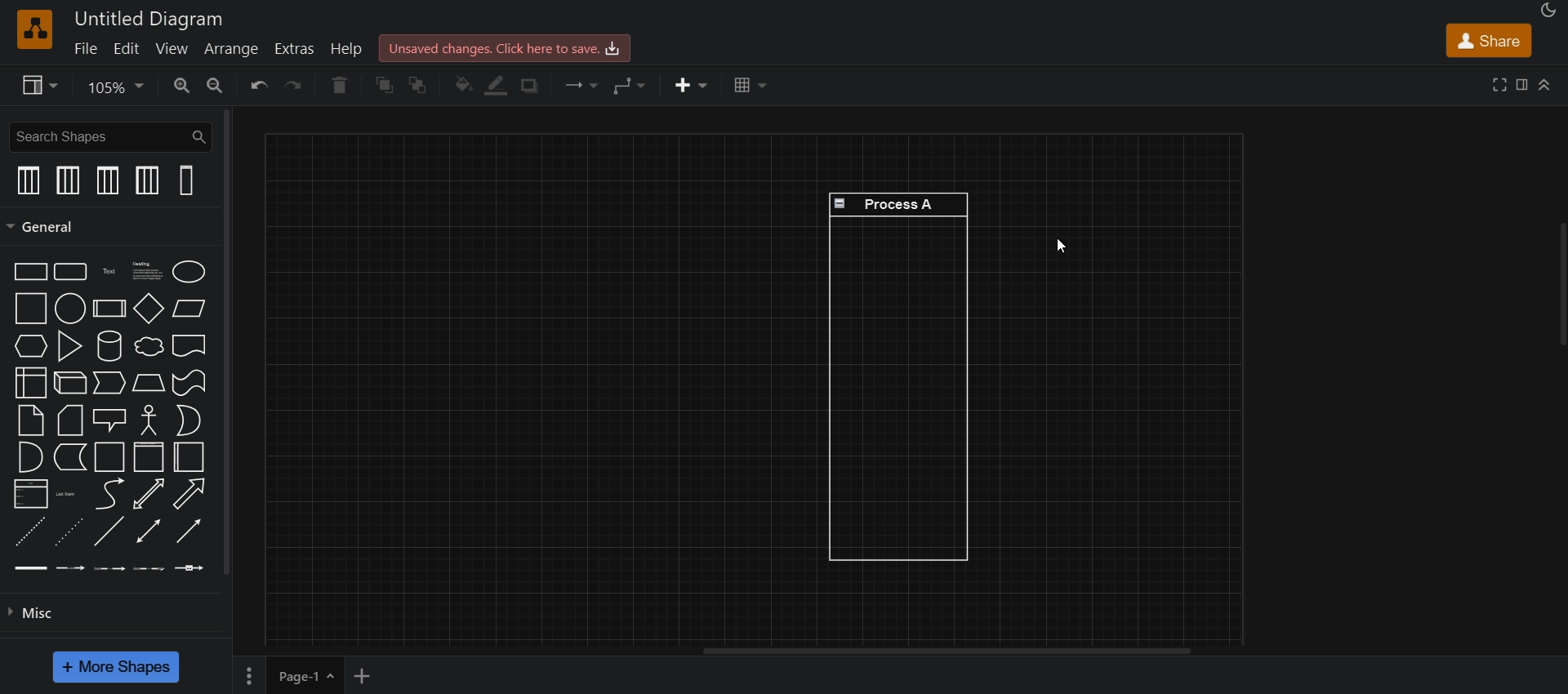  I want to click on extras, so click(299, 47).